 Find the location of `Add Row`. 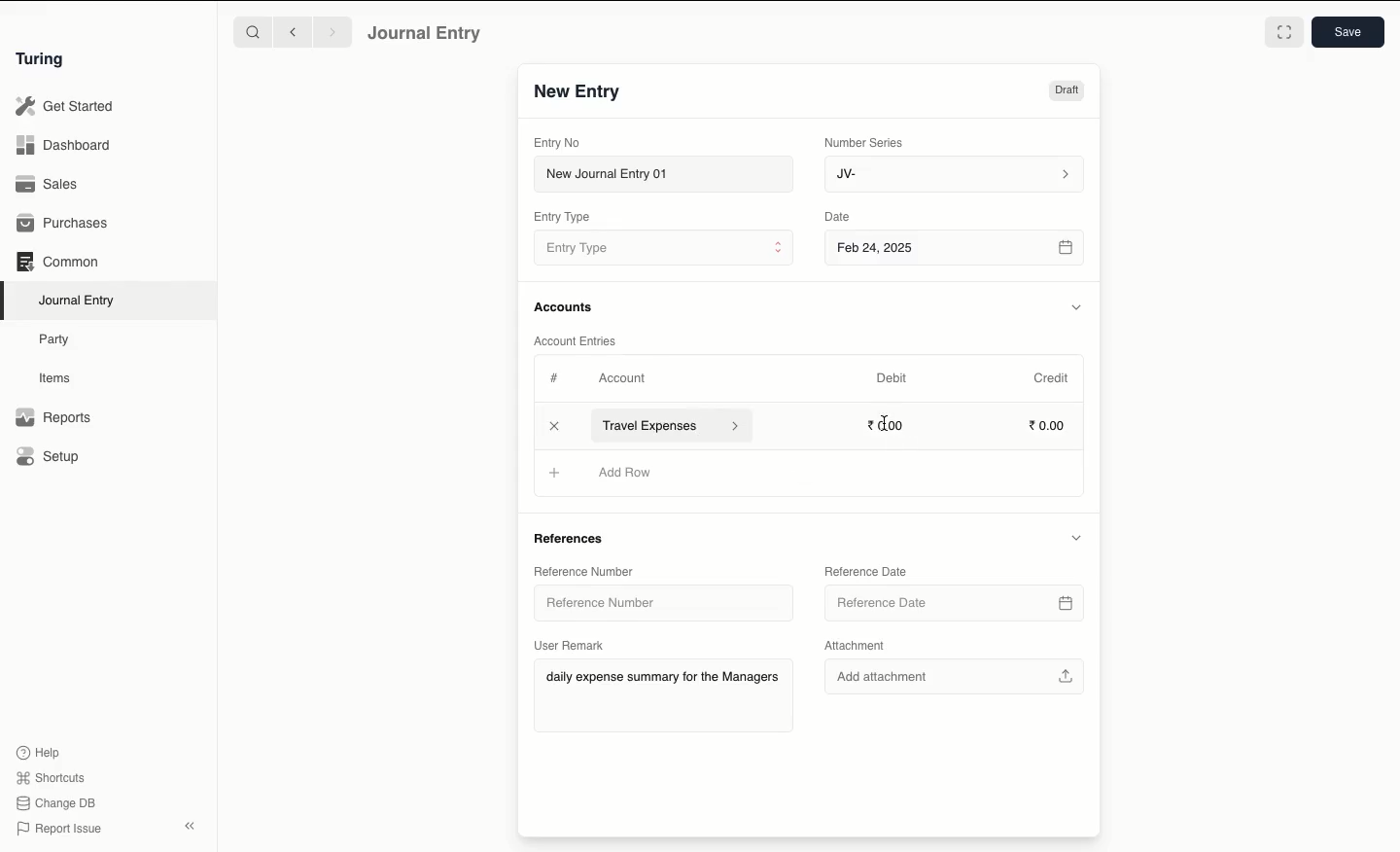

Add Row is located at coordinates (622, 473).